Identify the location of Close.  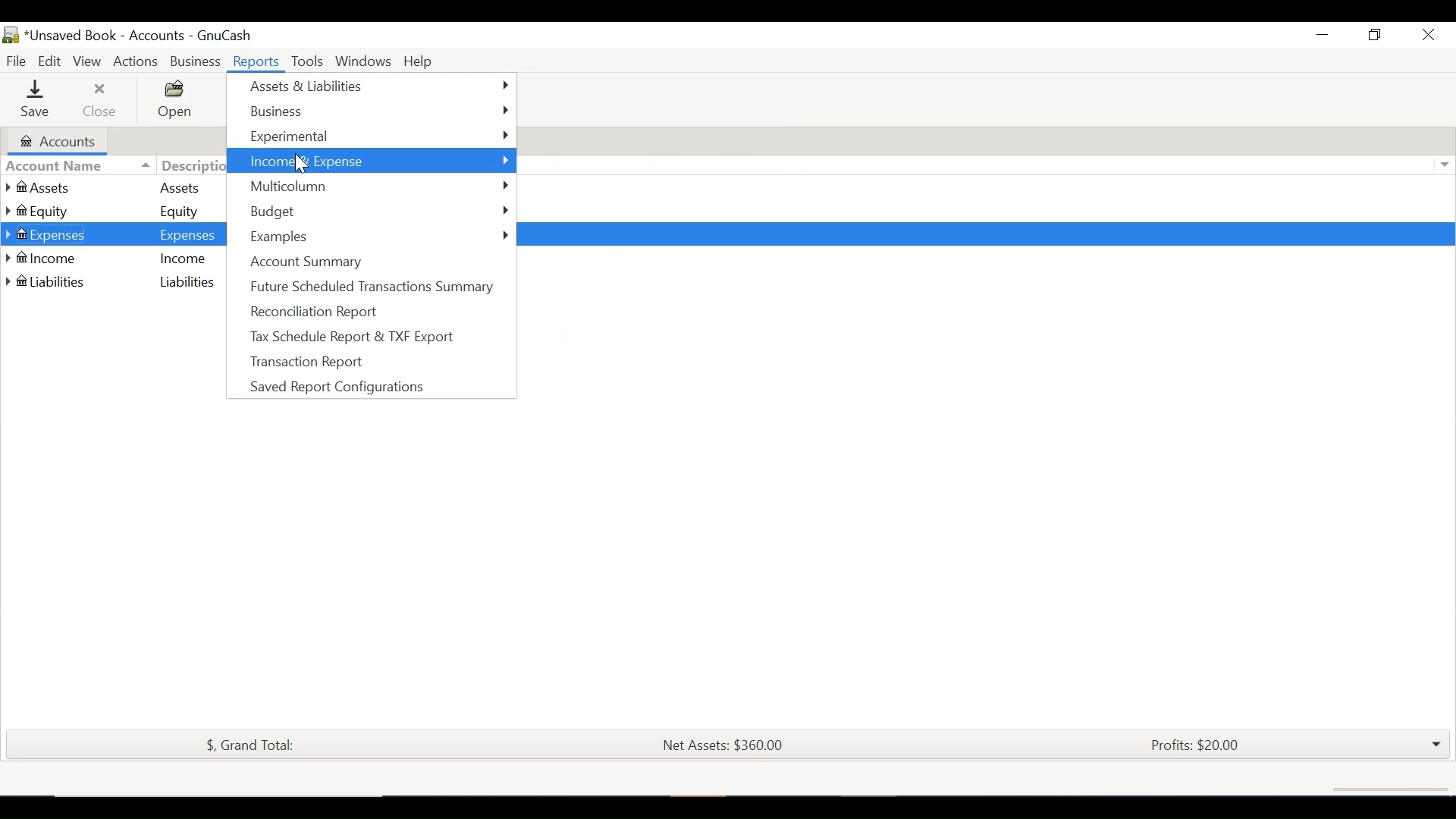
(99, 99).